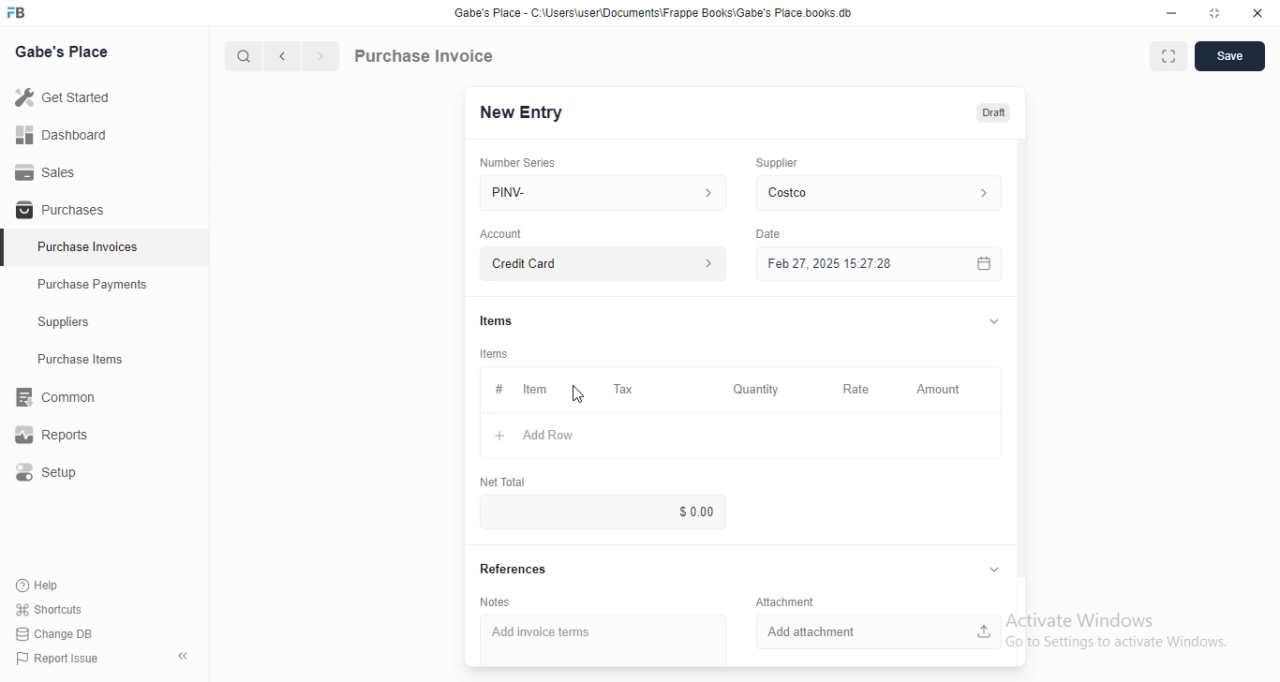 This screenshot has height=682, width=1280. I want to click on Next, so click(322, 56).